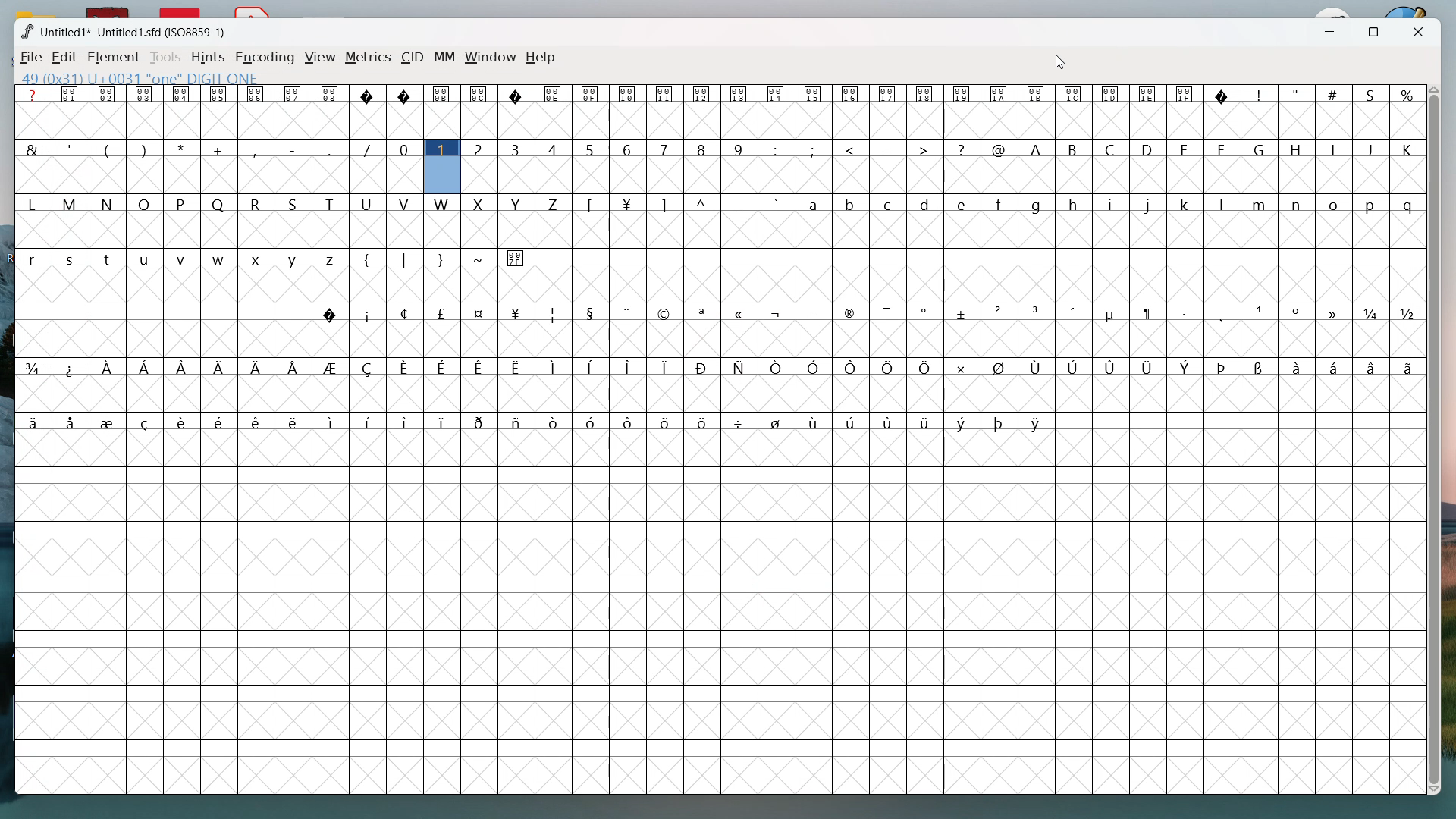 The image size is (1456, 819). Describe the element at coordinates (519, 367) in the screenshot. I see `symbol` at that location.